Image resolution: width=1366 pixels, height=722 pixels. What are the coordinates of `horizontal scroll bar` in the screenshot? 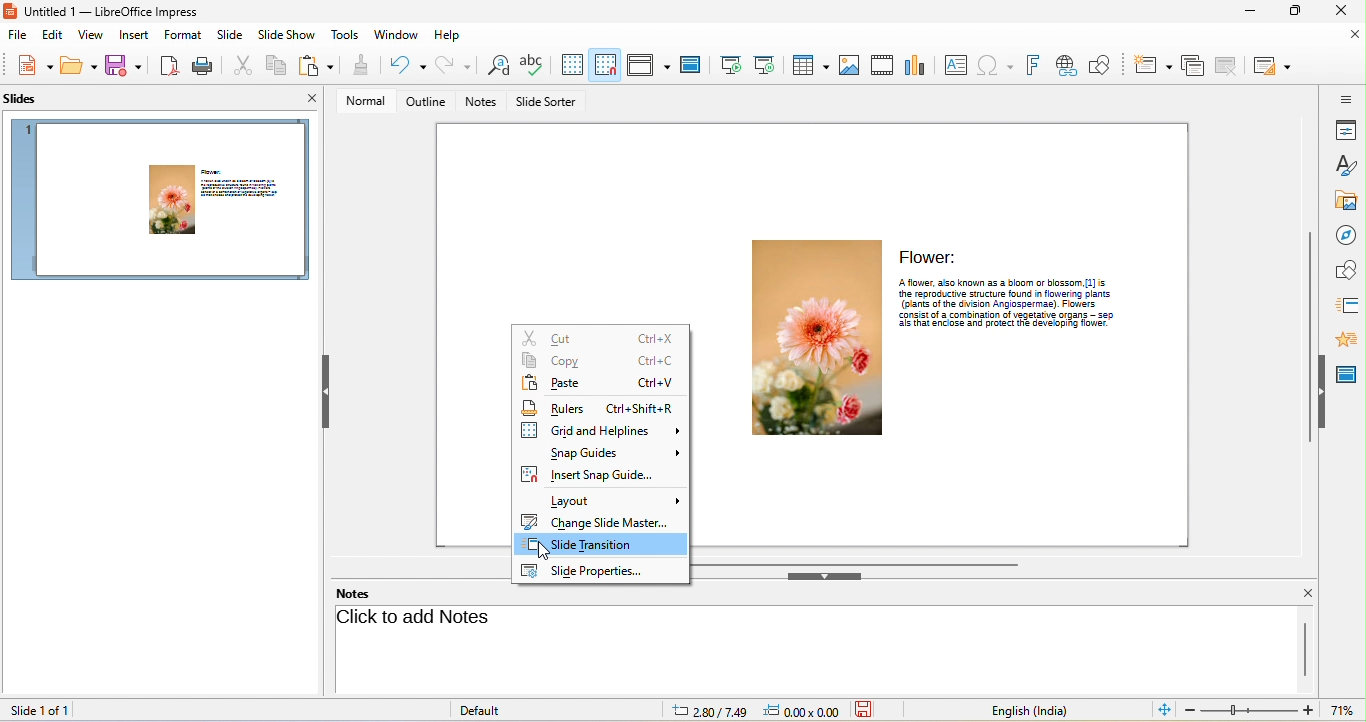 It's located at (862, 562).